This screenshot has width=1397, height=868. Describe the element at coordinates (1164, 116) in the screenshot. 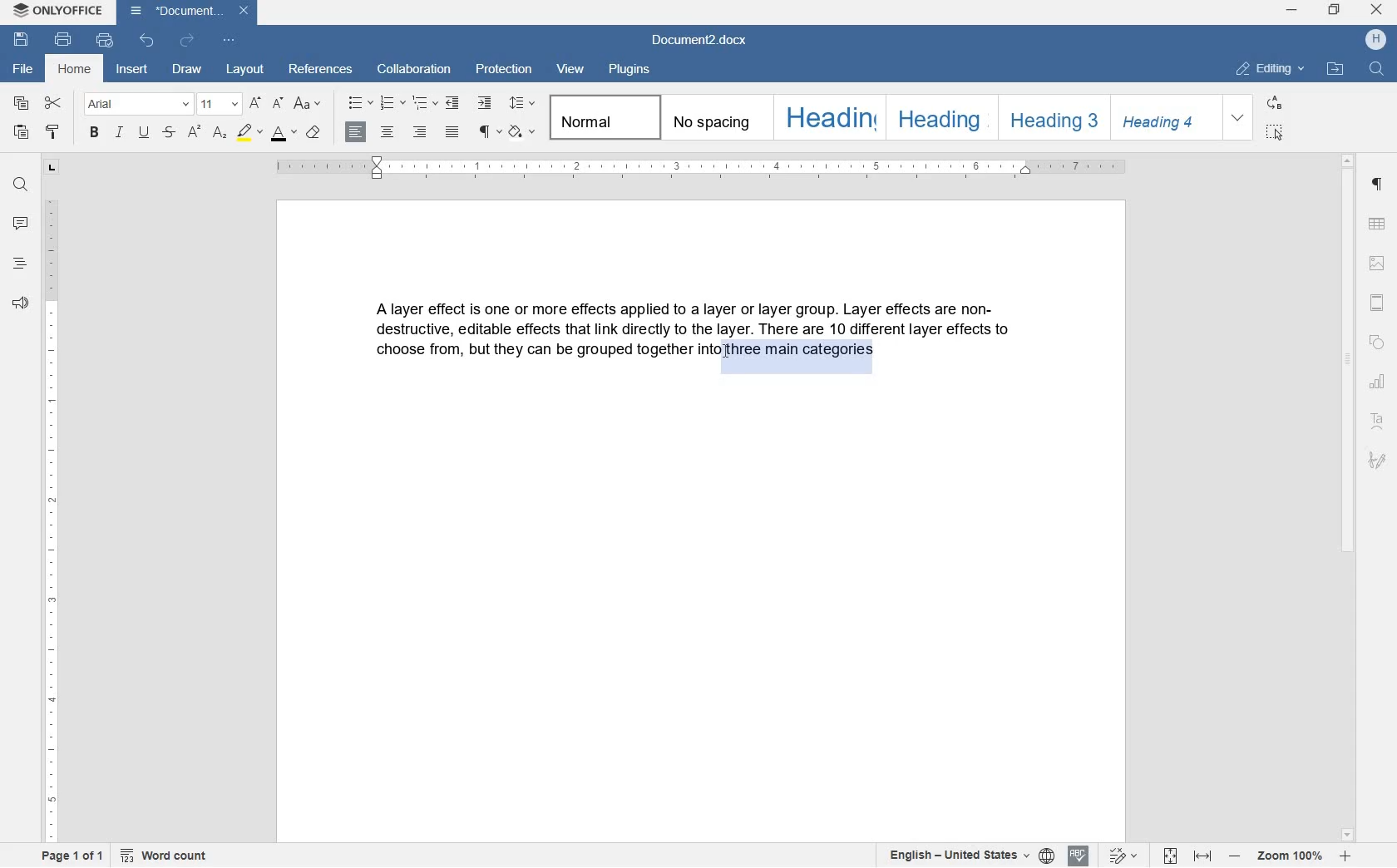

I see `heading 4` at that location.